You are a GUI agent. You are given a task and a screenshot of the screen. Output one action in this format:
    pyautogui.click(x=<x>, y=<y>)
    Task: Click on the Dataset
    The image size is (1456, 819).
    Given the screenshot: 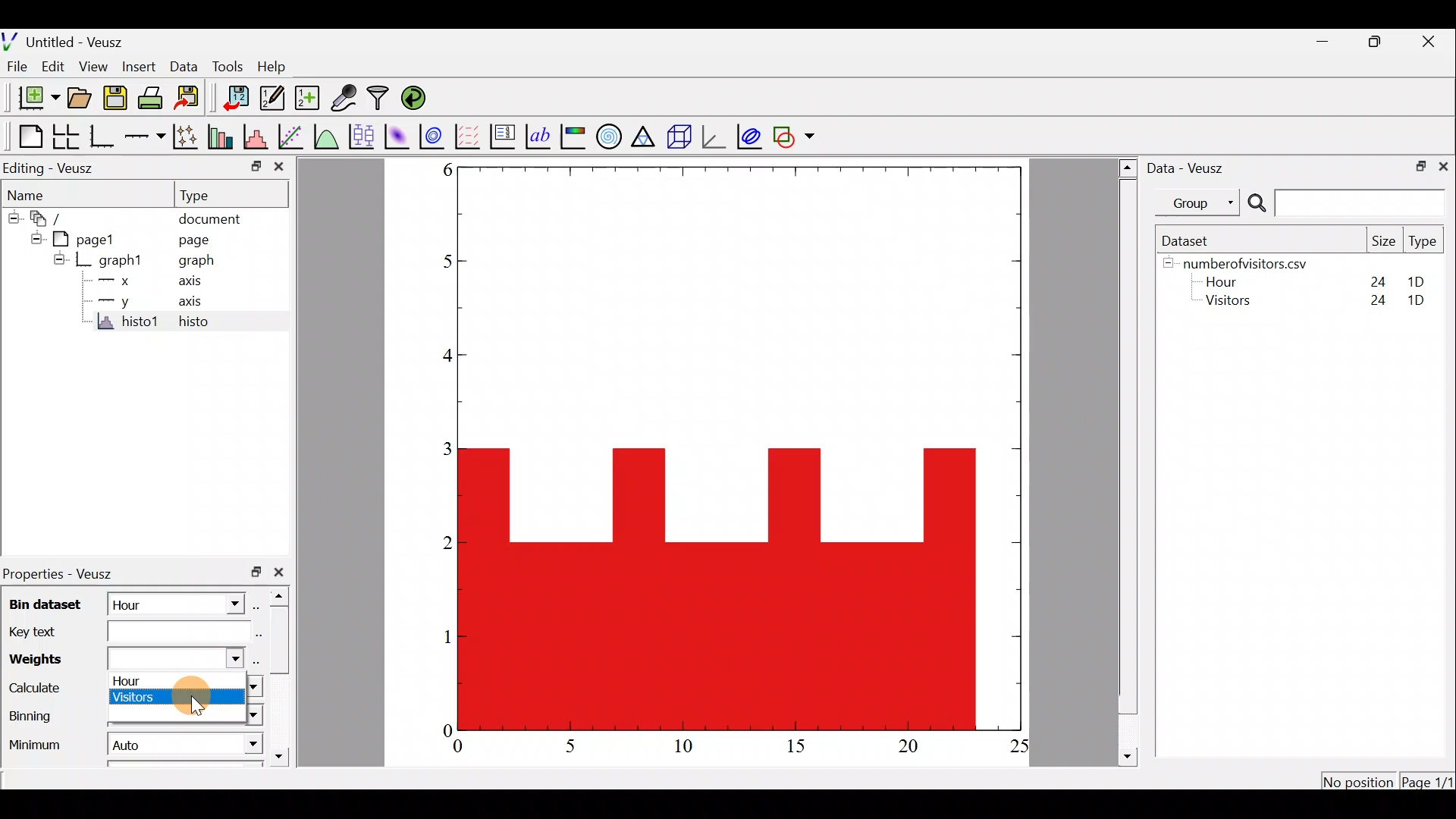 What is the action you would take?
    pyautogui.click(x=1195, y=240)
    